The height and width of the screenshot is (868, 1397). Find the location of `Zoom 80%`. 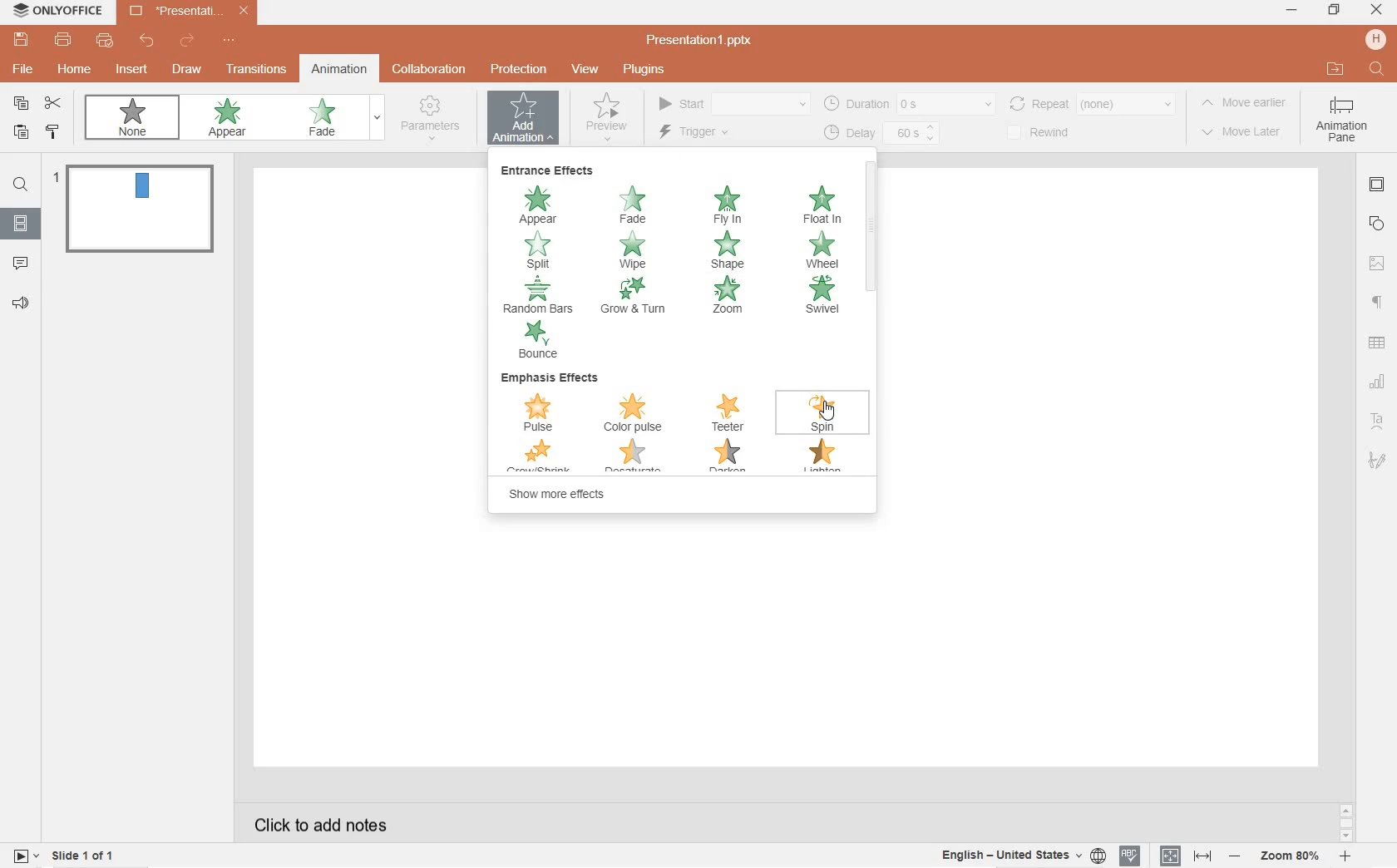

Zoom 80% is located at coordinates (1291, 857).